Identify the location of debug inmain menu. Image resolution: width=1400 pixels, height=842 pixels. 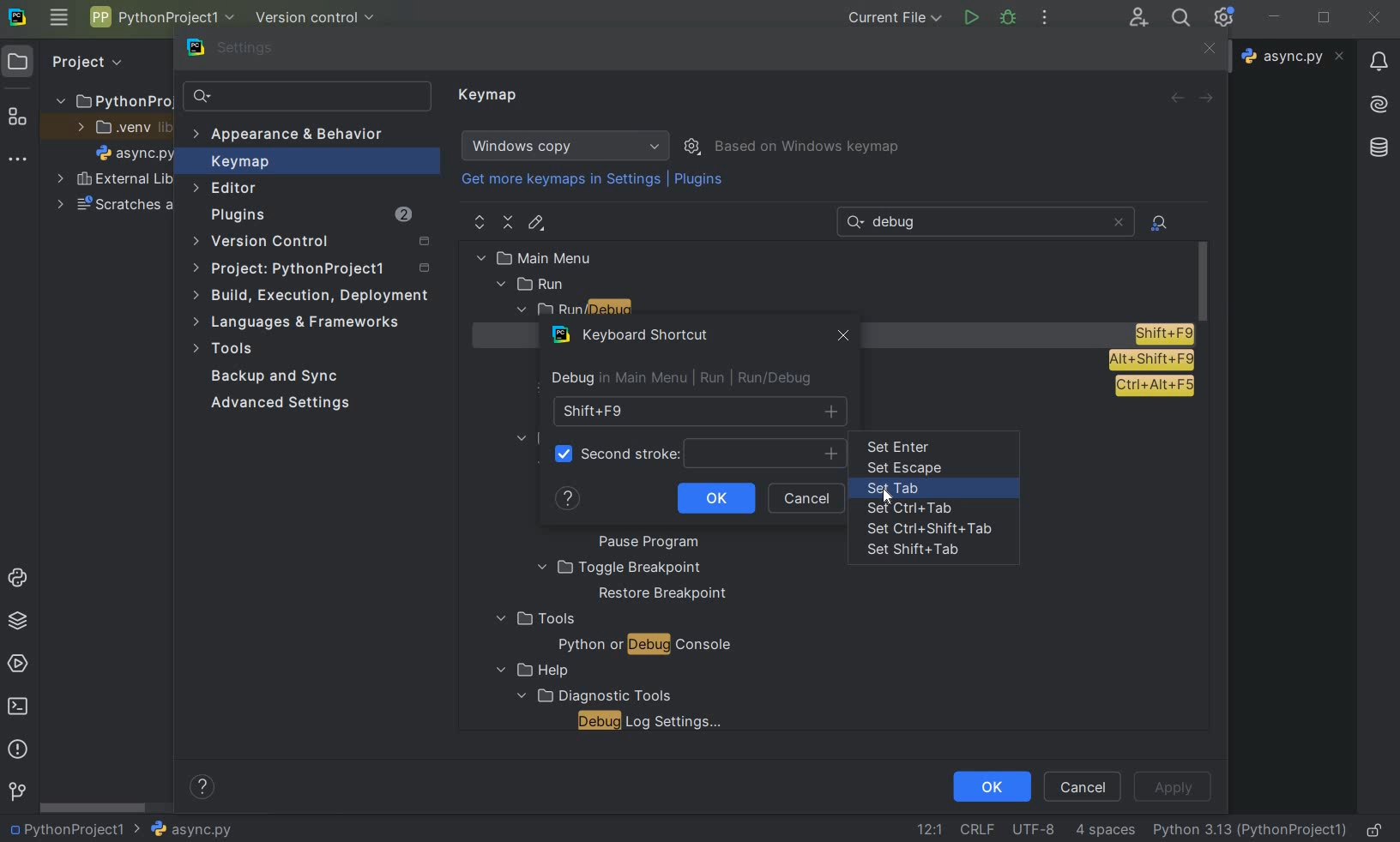
(615, 379).